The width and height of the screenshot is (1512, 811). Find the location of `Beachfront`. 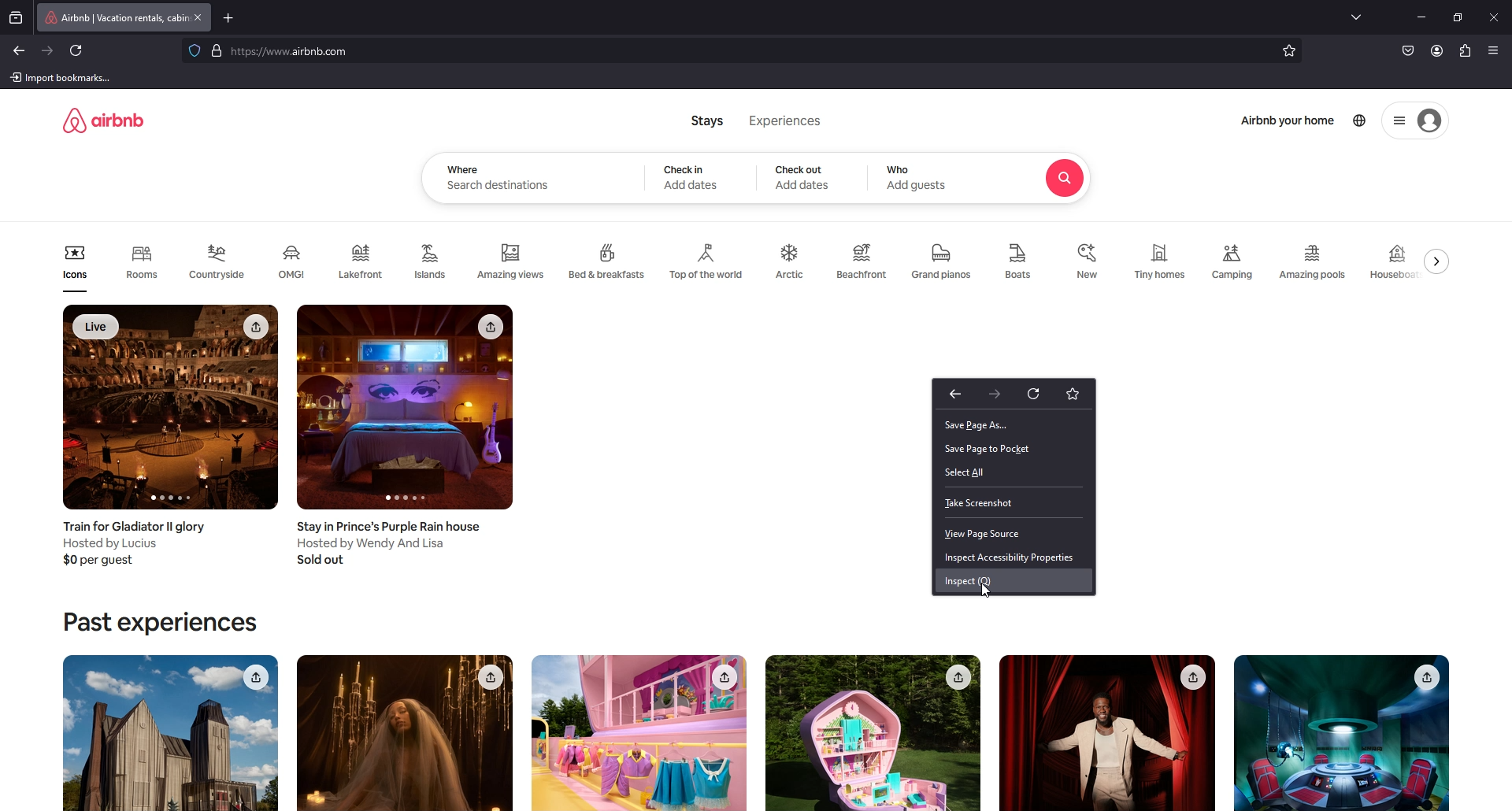

Beachfront is located at coordinates (862, 263).